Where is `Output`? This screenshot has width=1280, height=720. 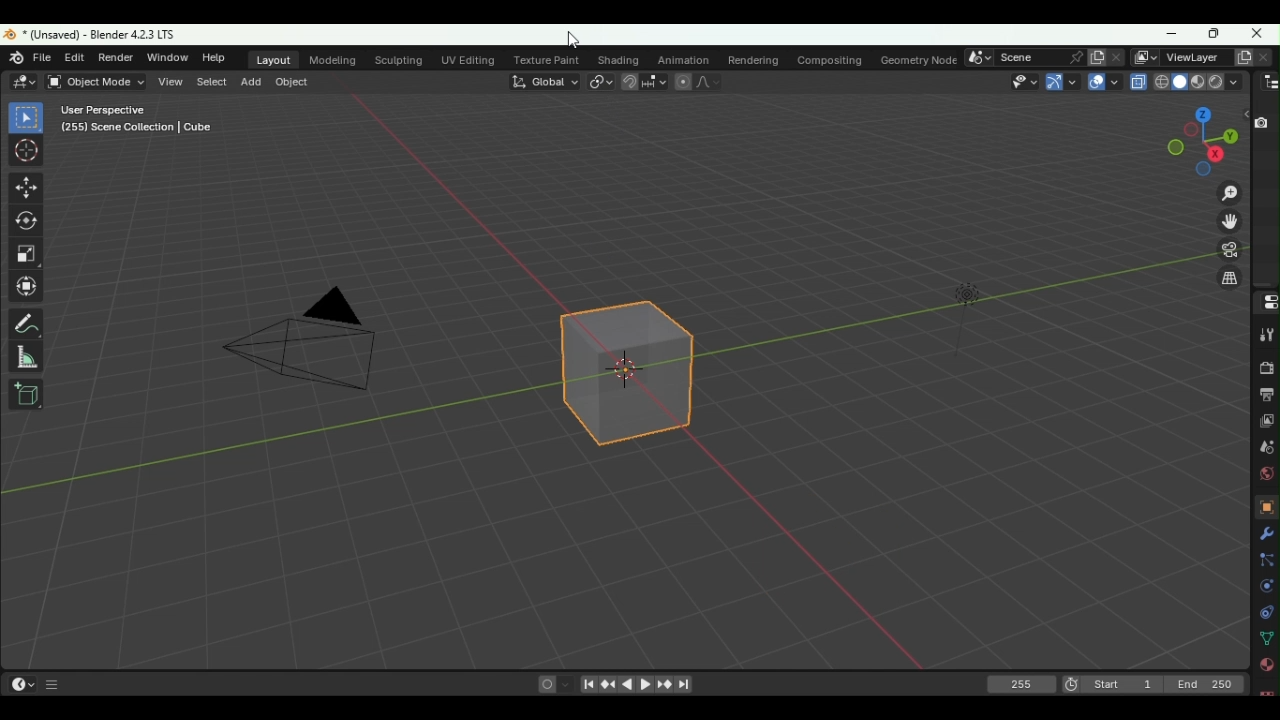 Output is located at coordinates (1266, 395).